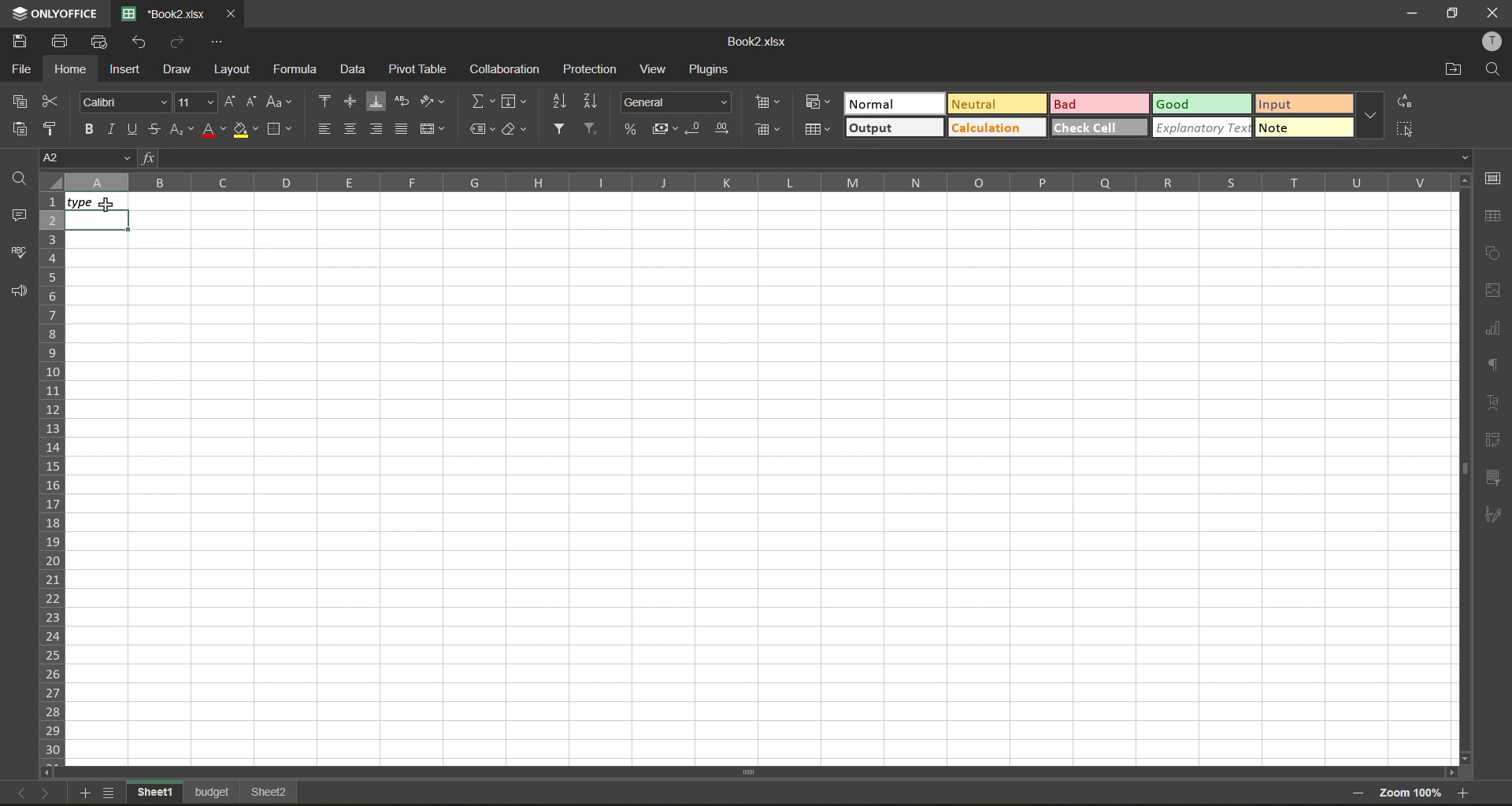  What do you see at coordinates (1204, 128) in the screenshot?
I see `explanatory text` at bounding box center [1204, 128].